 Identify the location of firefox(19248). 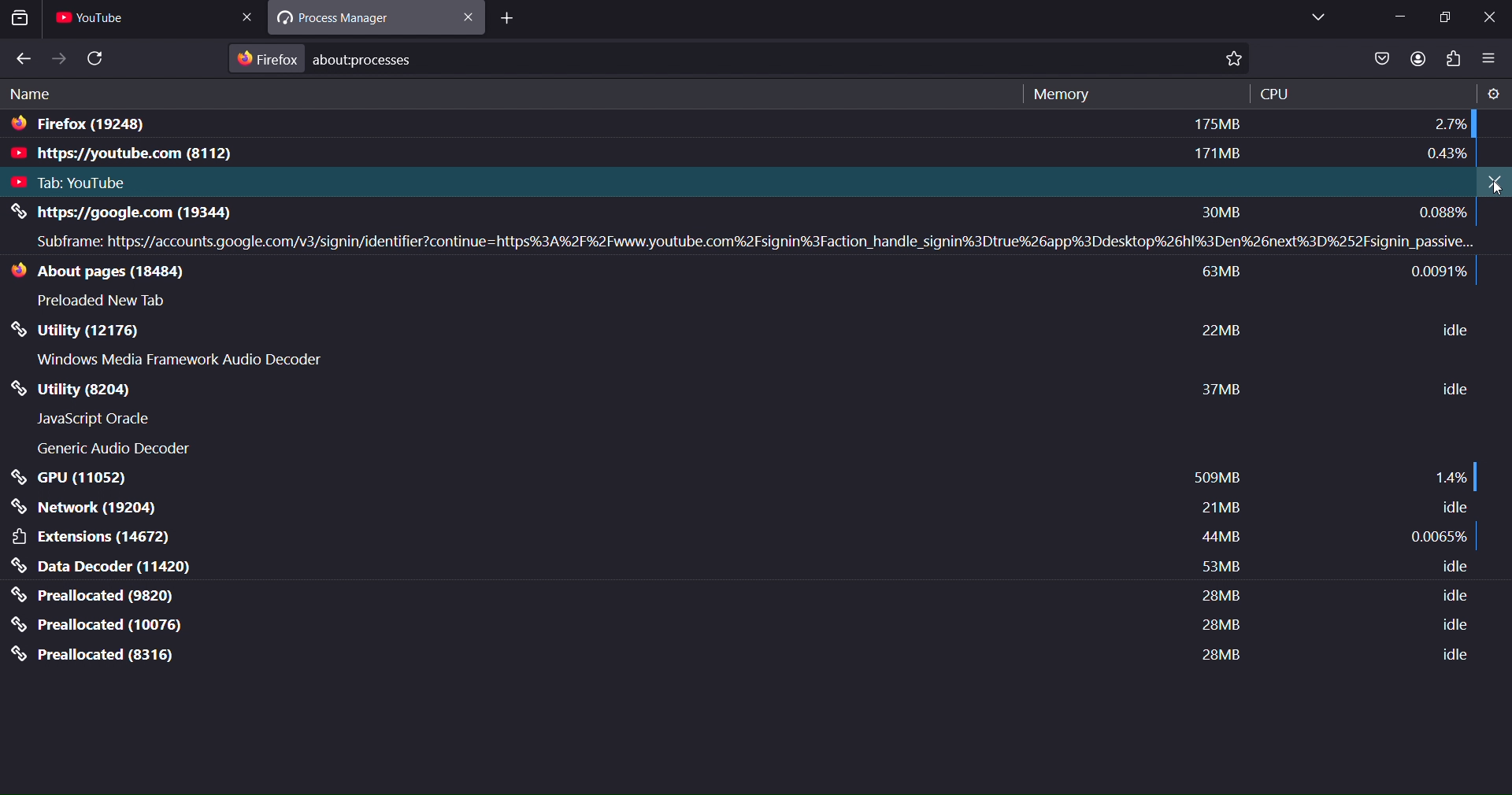
(83, 128).